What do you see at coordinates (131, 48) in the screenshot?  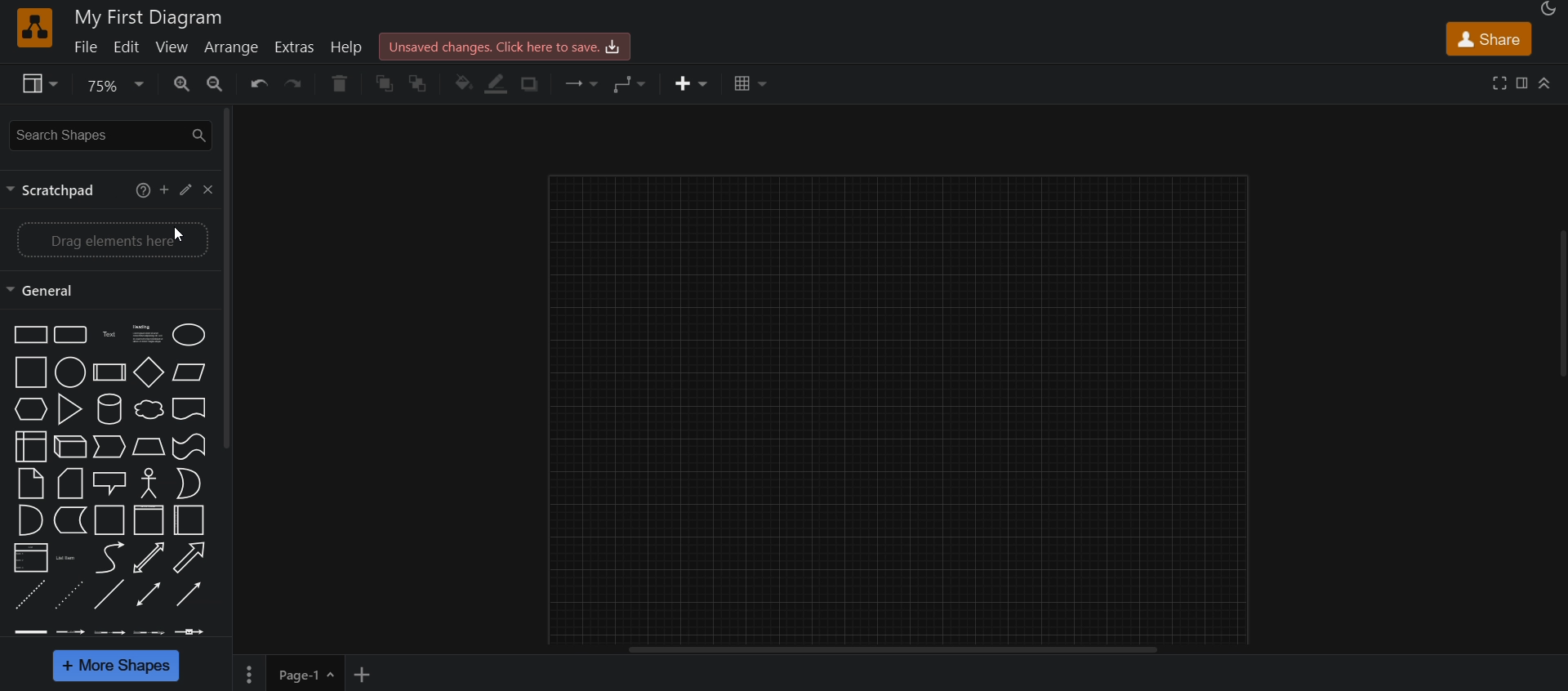 I see `edit` at bounding box center [131, 48].